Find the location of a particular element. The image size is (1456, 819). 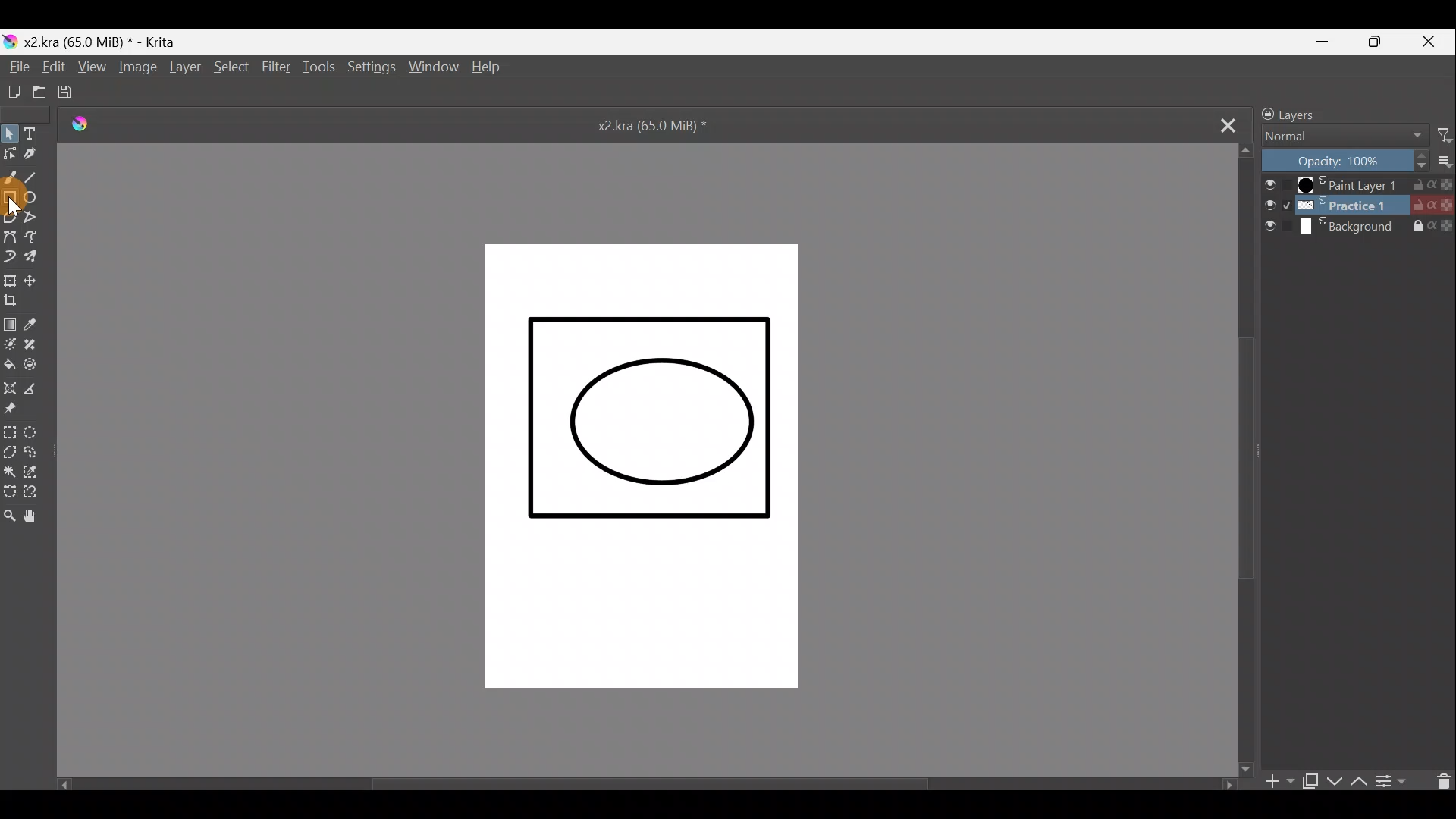

Tools is located at coordinates (319, 67).